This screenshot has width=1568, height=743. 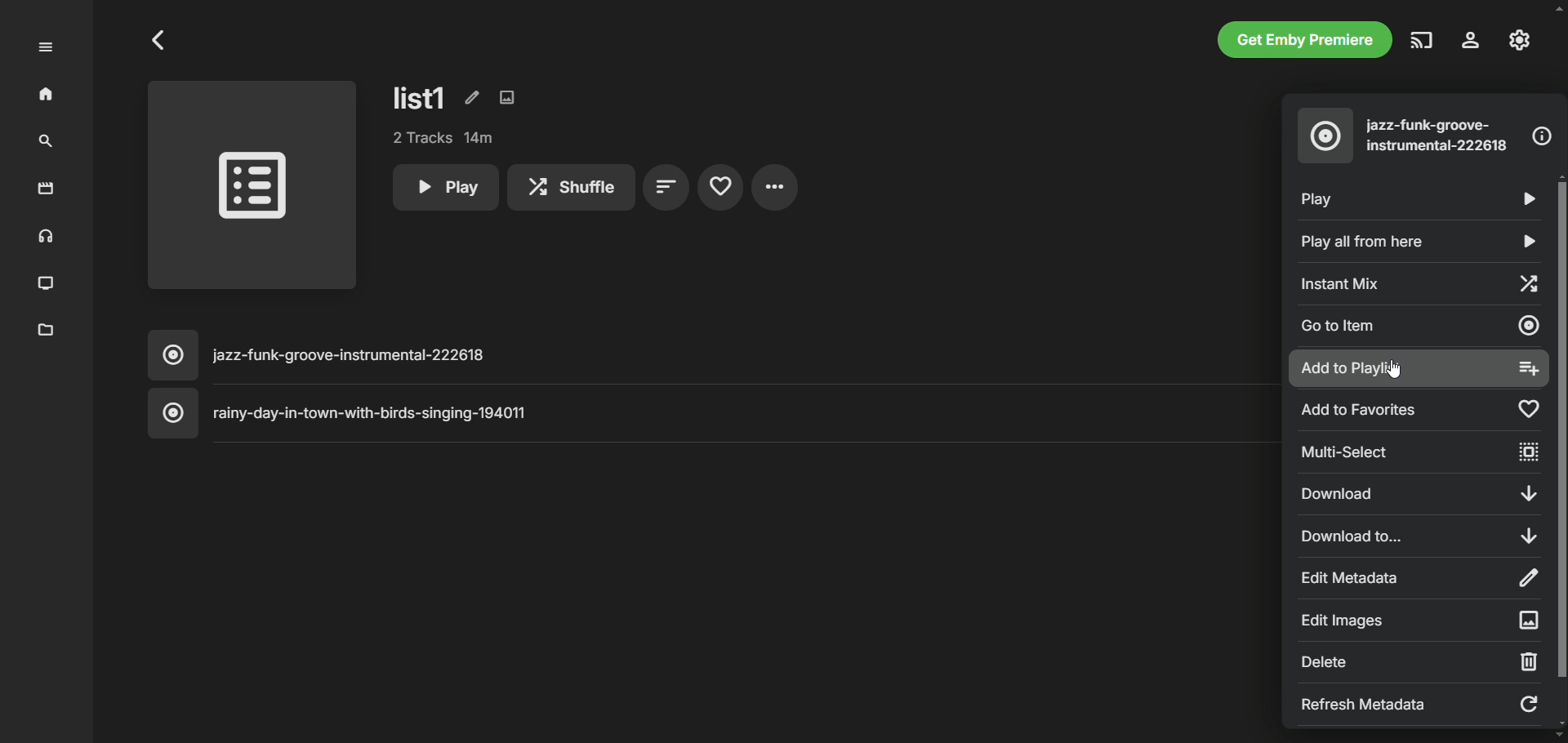 What do you see at coordinates (421, 97) in the screenshot?
I see `list` at bounding box center [421, 97].